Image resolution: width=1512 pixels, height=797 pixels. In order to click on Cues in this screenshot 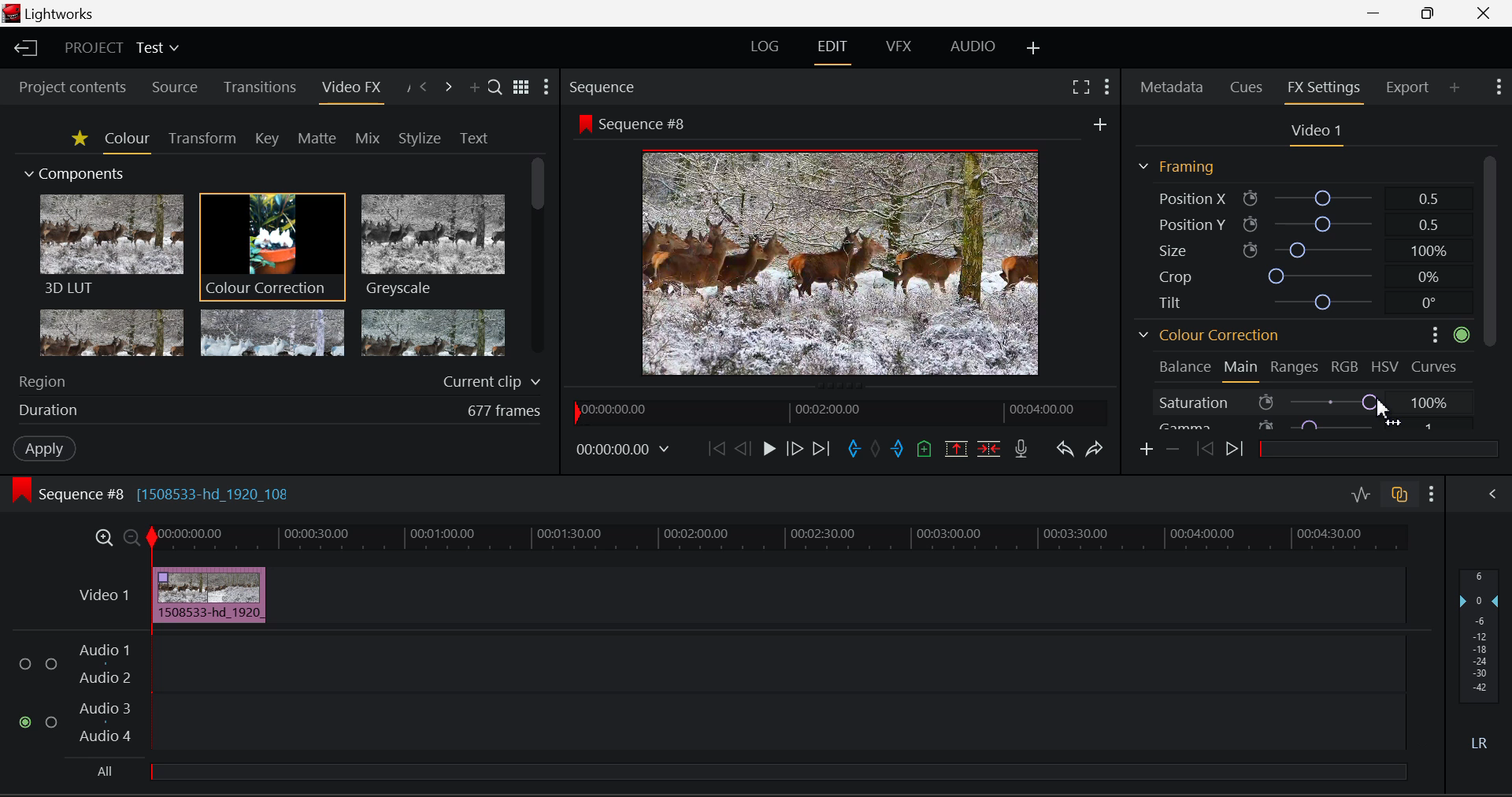, I will do `click(1246, 87)`.